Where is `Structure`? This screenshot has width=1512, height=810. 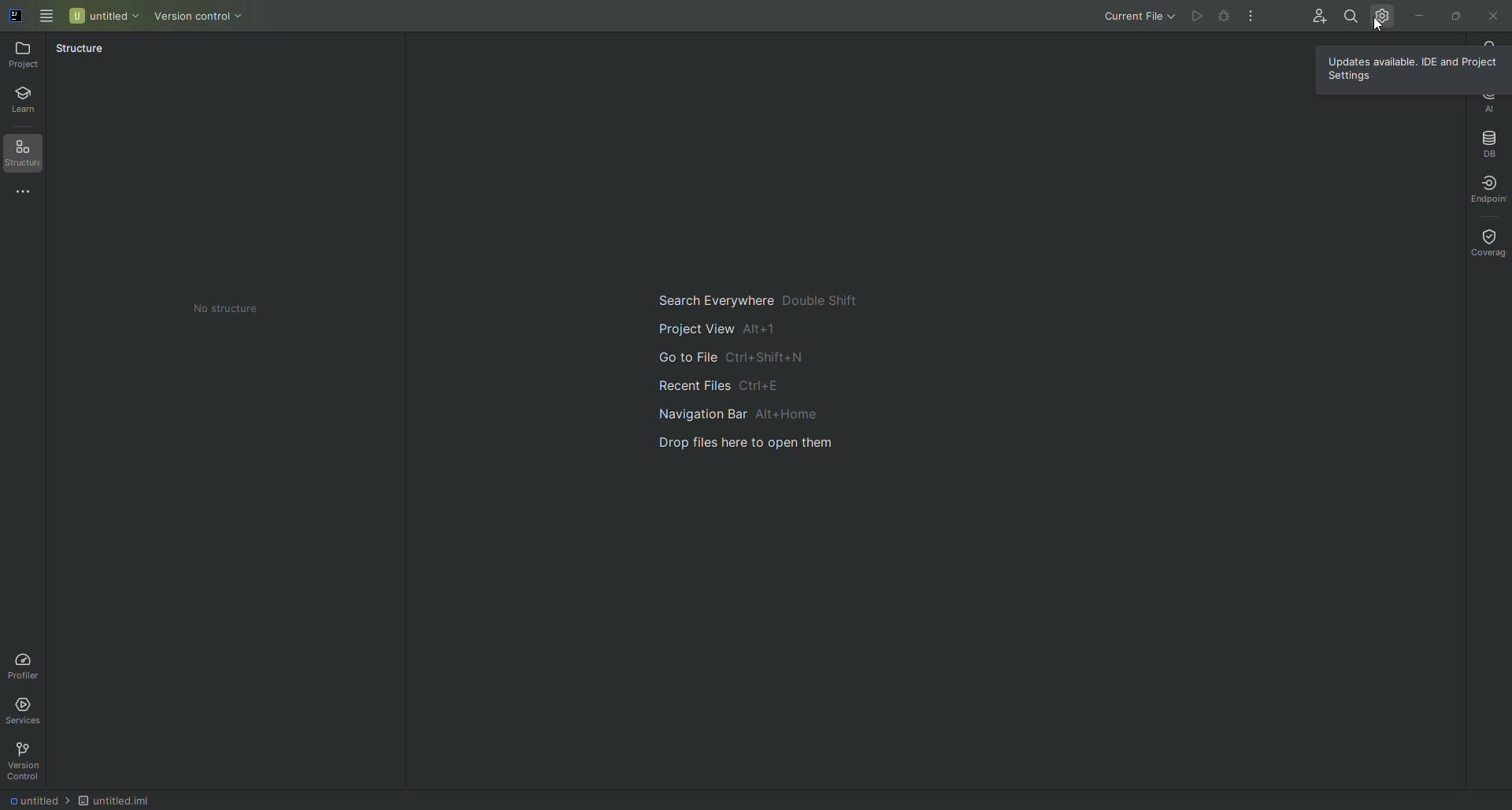 Structure is located at coordinates (29, 155).